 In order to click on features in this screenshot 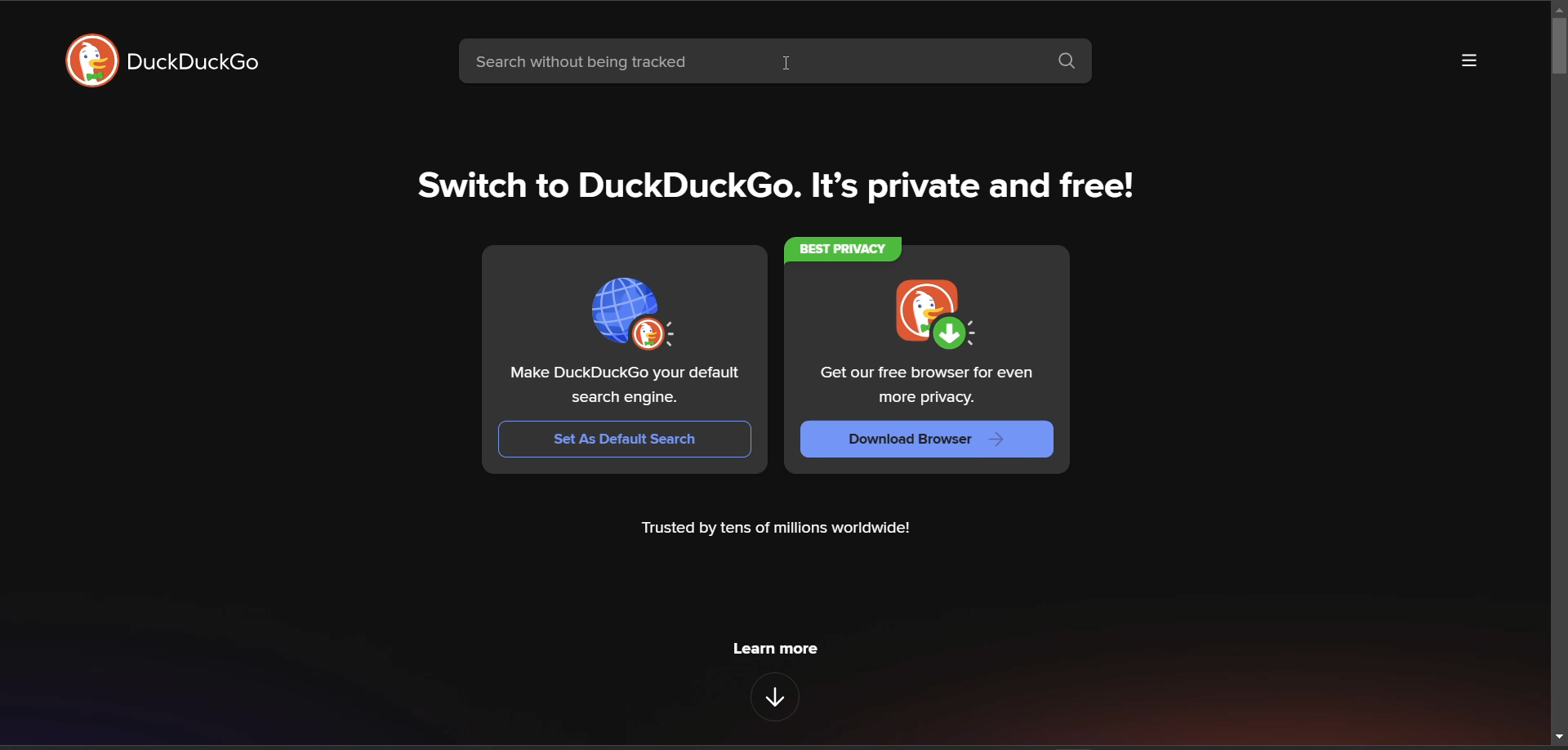, I will do `click(774, 697)`.